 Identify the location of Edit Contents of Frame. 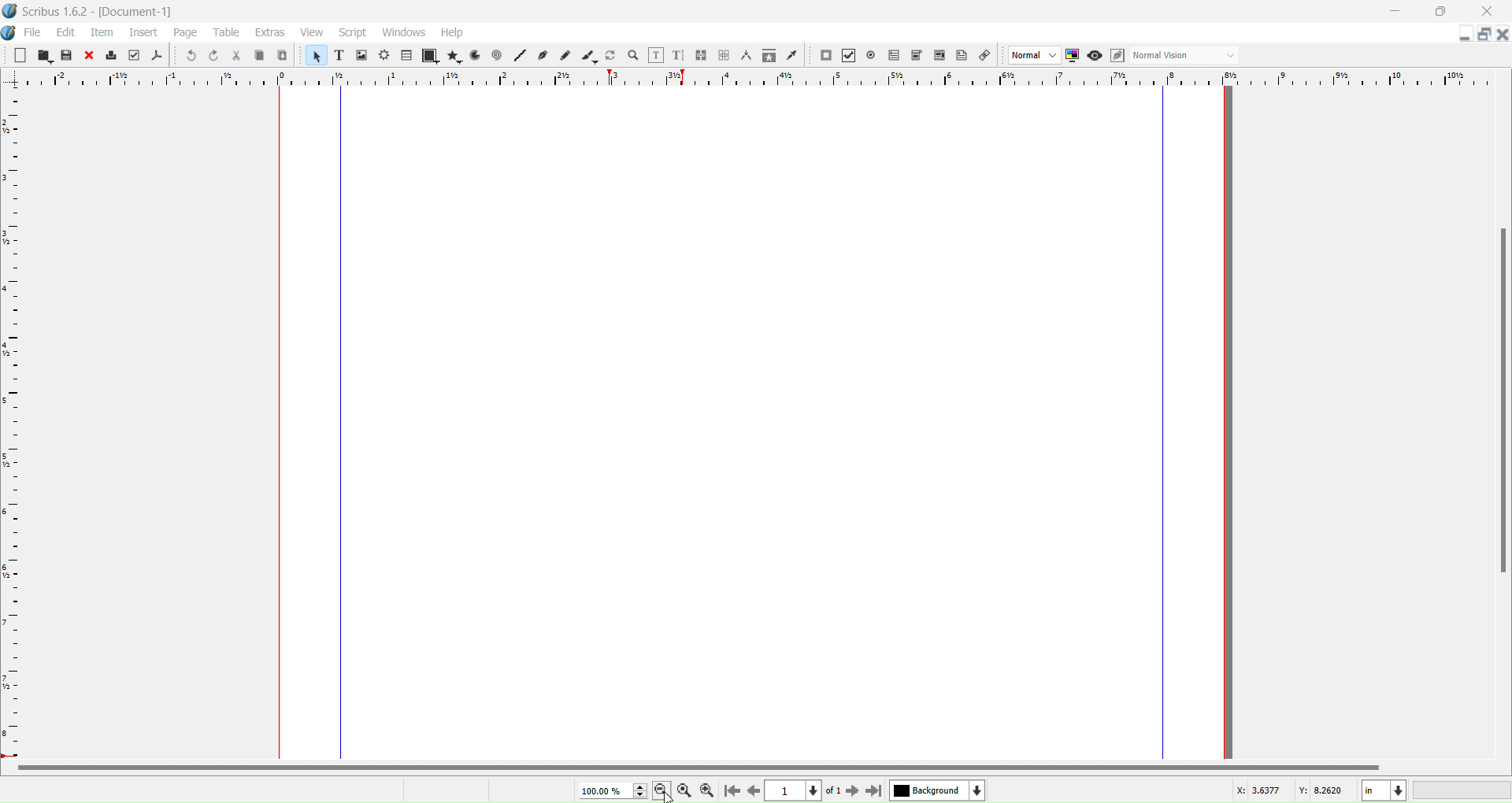
(655, 55).